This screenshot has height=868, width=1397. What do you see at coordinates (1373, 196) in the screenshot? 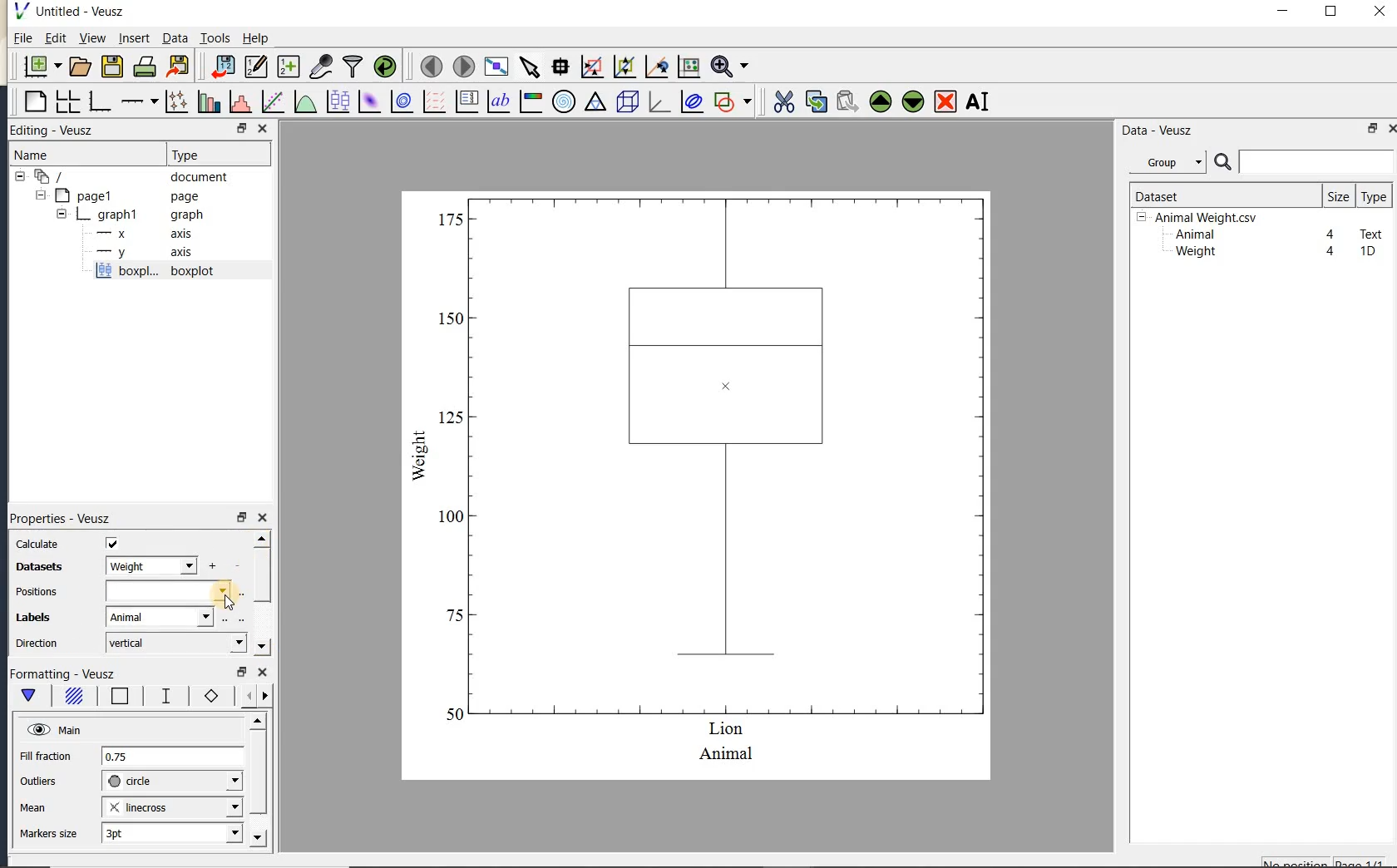
I see `type` at bounding box center [1373, 196].